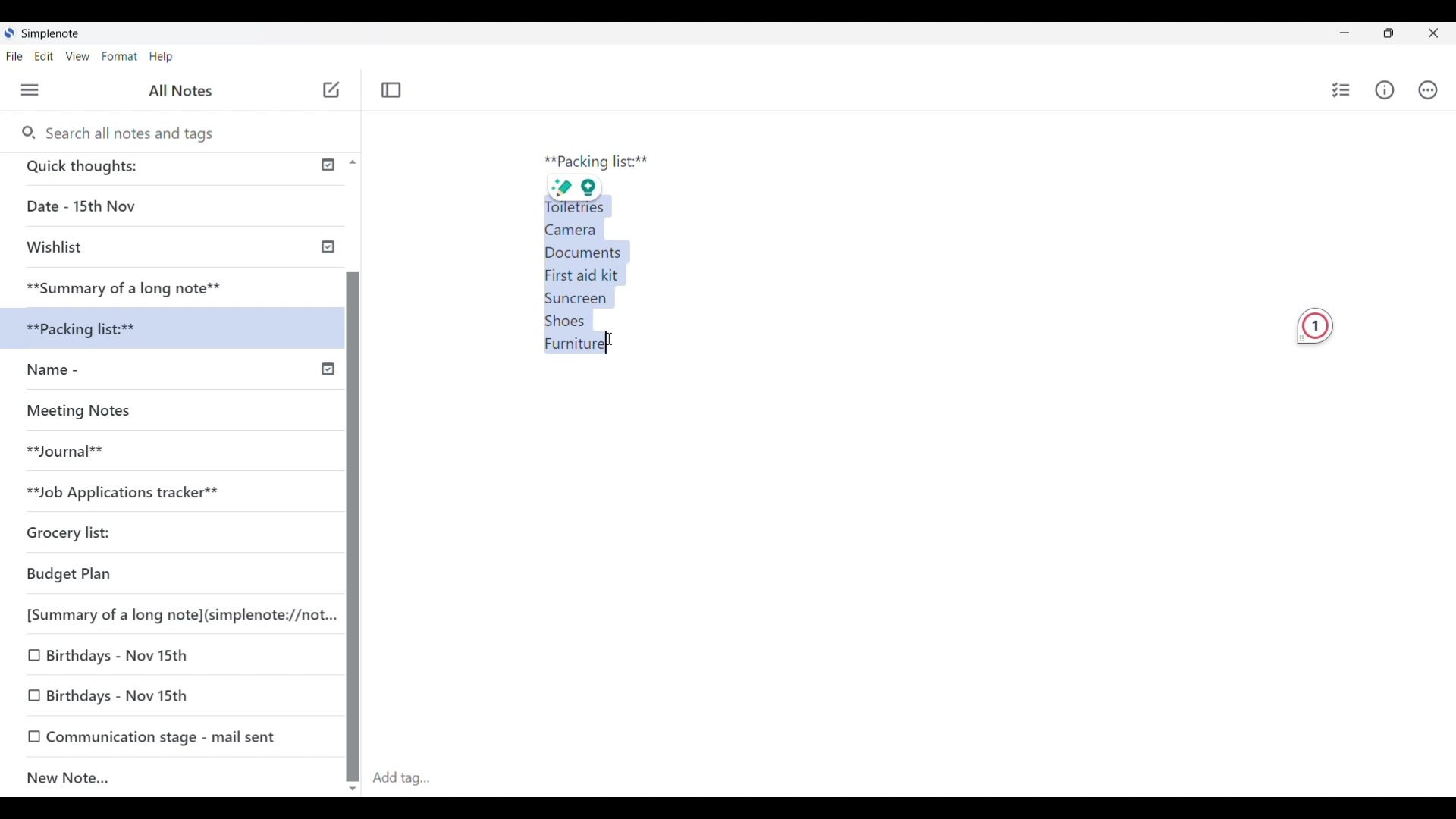  What do you see at coordinates (174, 614) in the screenshot?
I see `[Summary of a long note](simplenote://not...` at bounding box center [174, 614].